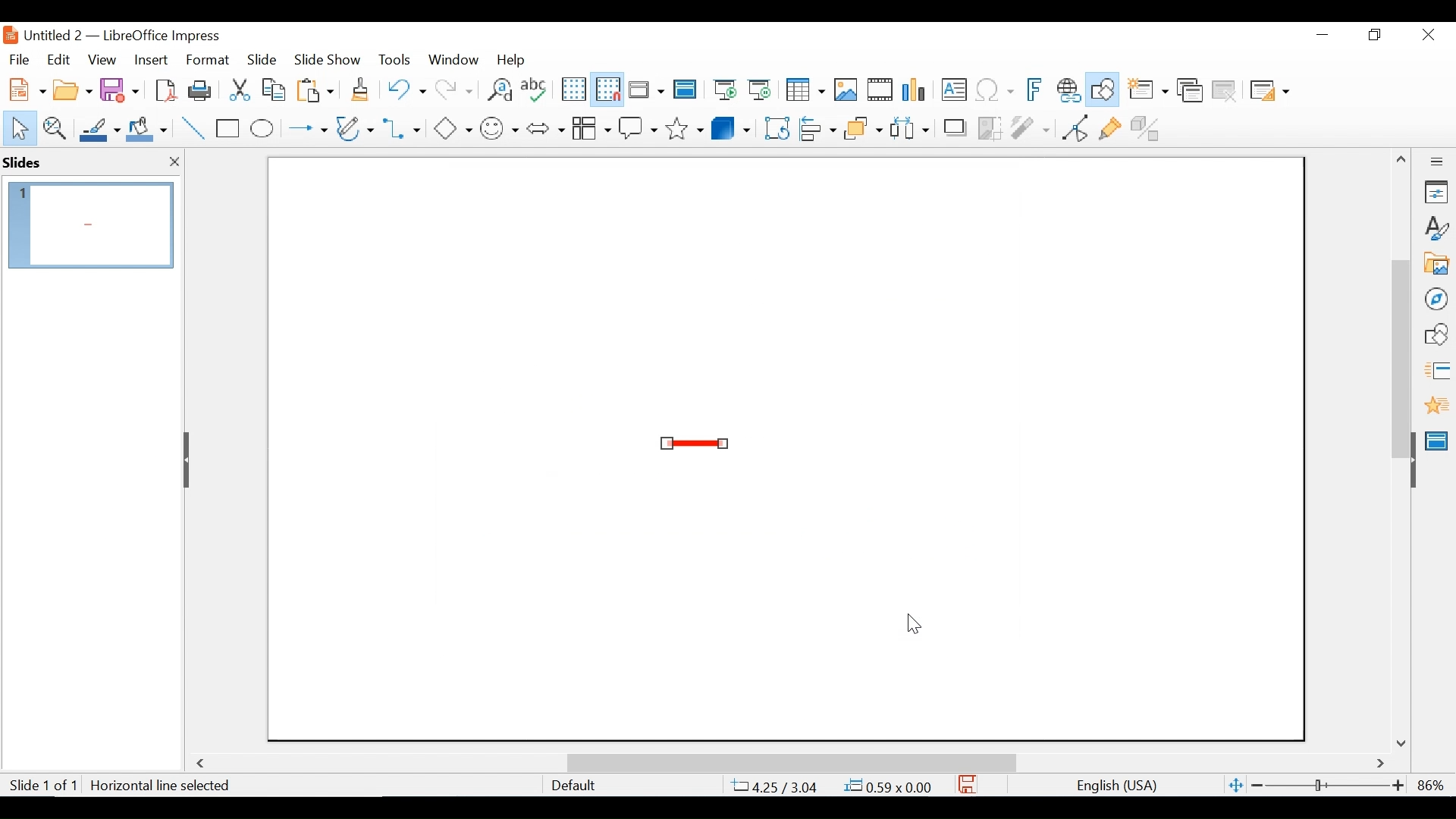  Describe the element at coordinates (775, 127) in the screenshot. I see `Rotate` at that location.